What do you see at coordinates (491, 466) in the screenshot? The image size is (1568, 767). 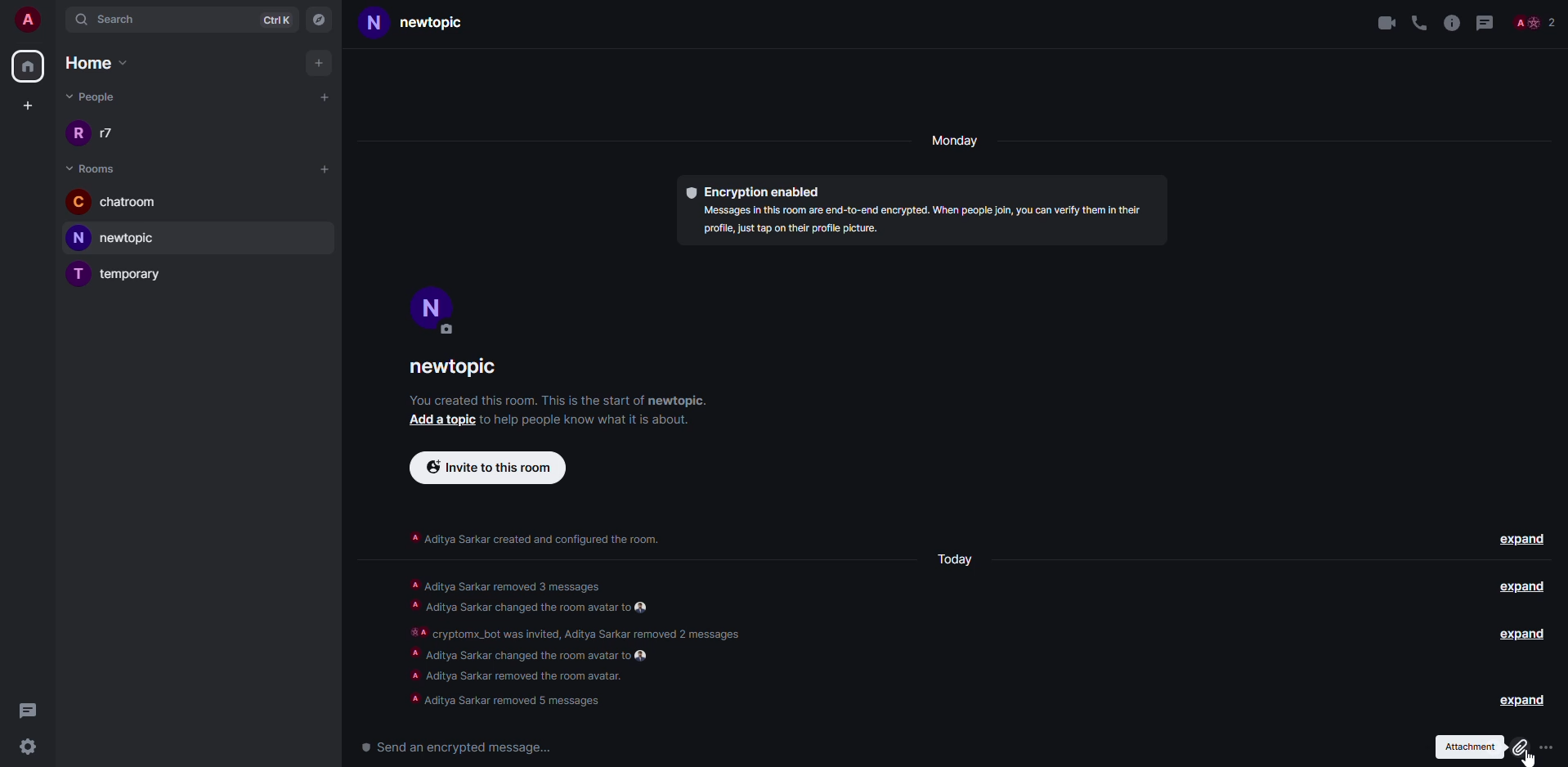 I see `invite to this room` at bounding box center [491, 466].